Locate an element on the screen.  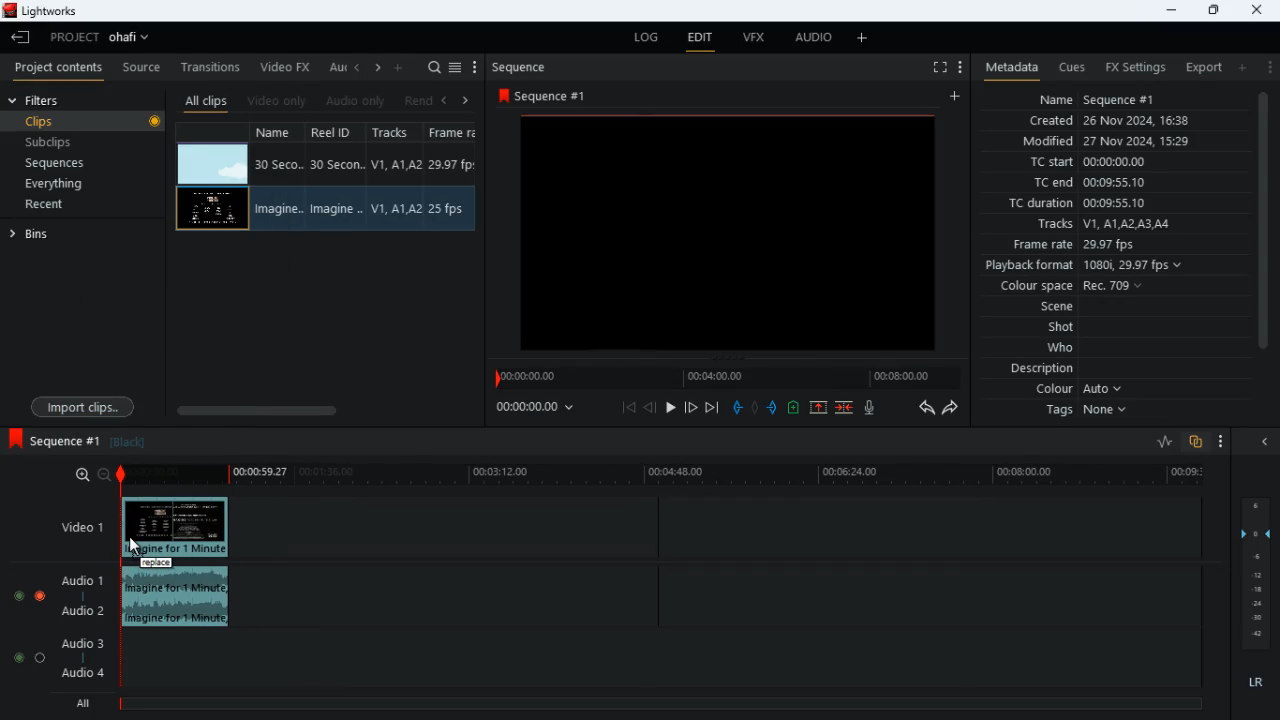
tracks is located at coordinates (398, 133).